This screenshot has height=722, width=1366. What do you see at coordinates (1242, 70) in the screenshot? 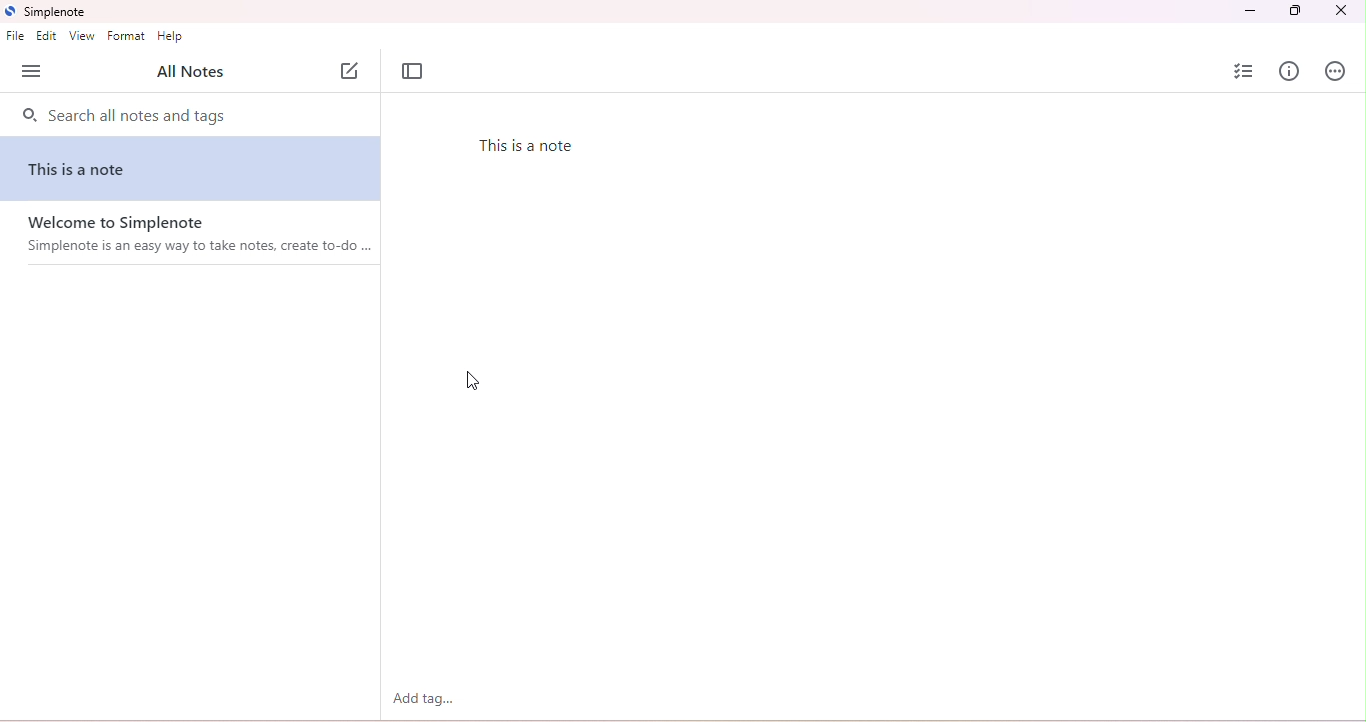
I see `insert checklist` at bounding box center [1242, 70].